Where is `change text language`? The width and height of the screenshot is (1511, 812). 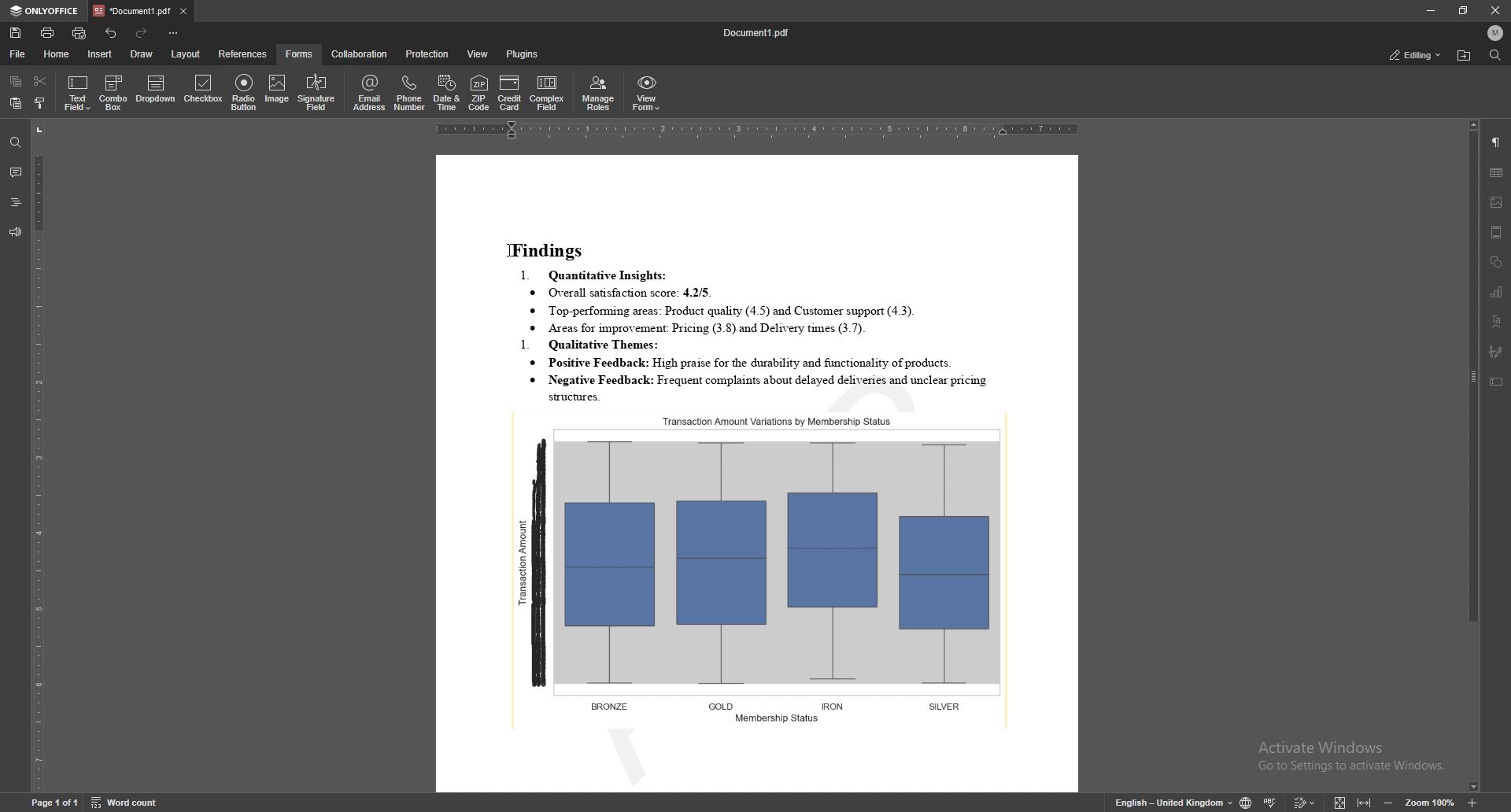
change text language is located at coordinates (1173, 803).